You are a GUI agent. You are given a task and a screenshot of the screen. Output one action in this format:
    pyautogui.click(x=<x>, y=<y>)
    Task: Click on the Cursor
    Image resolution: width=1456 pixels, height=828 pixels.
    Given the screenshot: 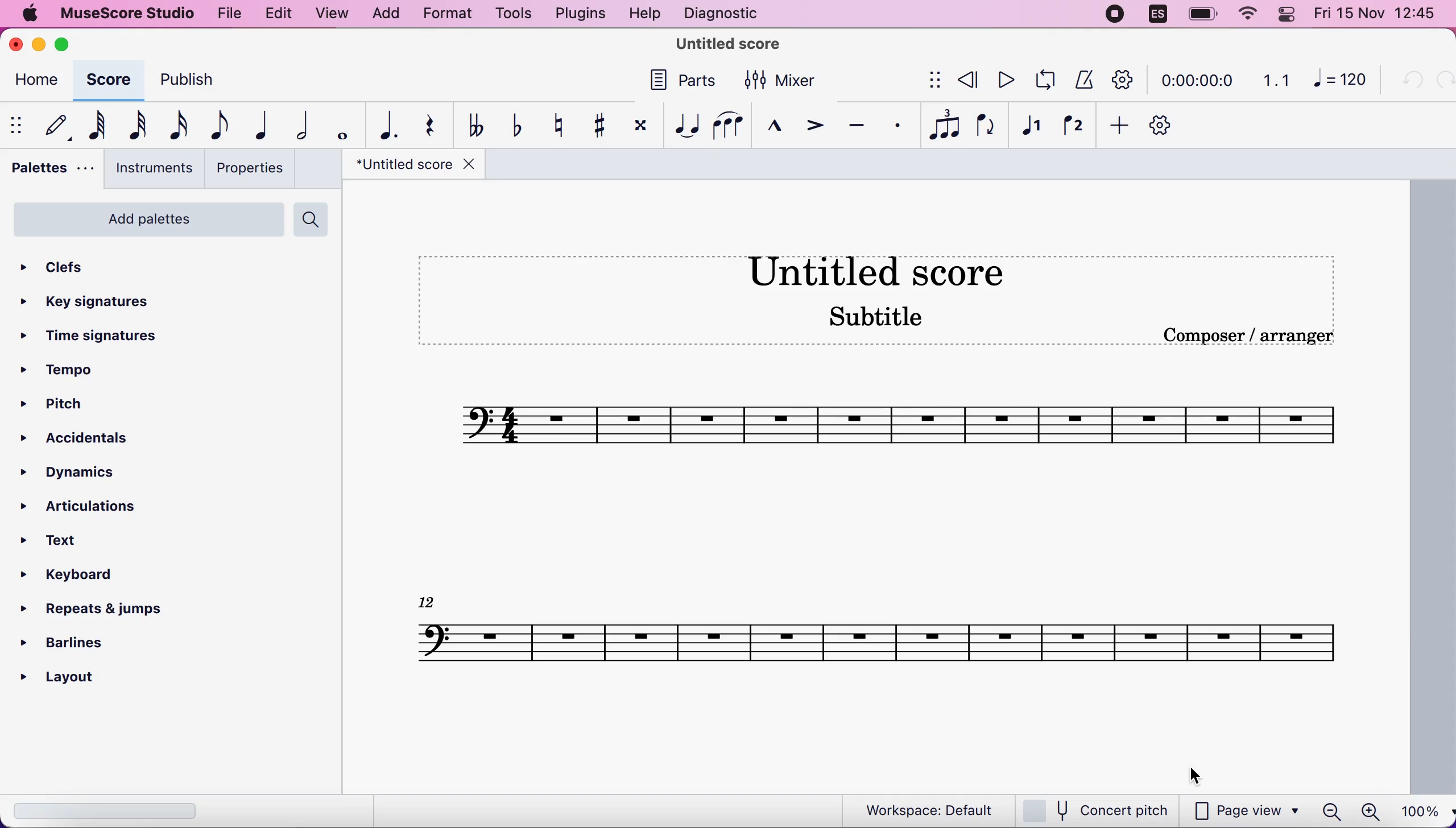 What is the action you would take?
    pyautogui.click(x=1194, y=772)
    